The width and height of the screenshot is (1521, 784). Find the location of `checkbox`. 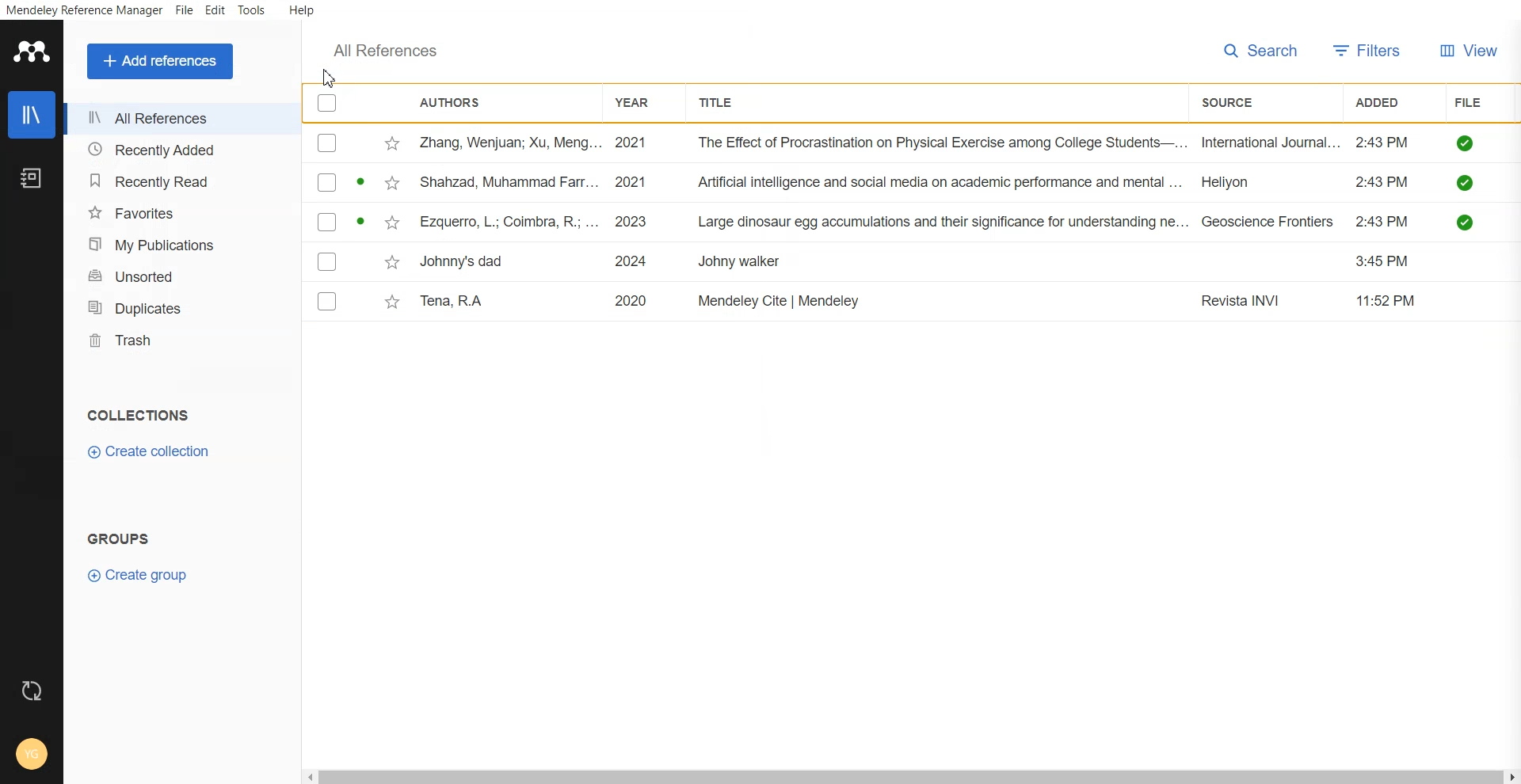

checkbox is located at coordinates (327, 300).